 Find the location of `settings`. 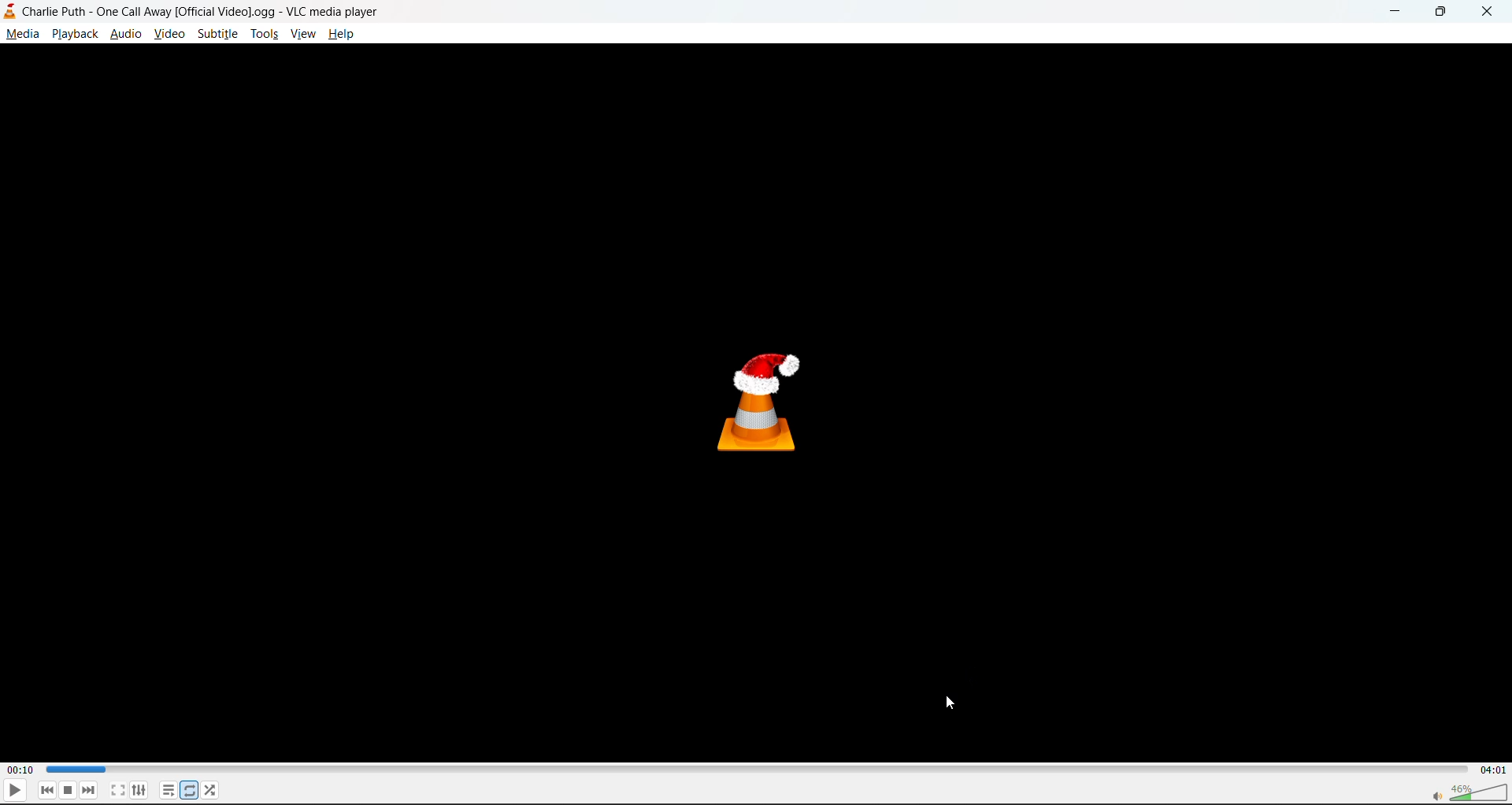

settings is located at coordinates (141, 788).